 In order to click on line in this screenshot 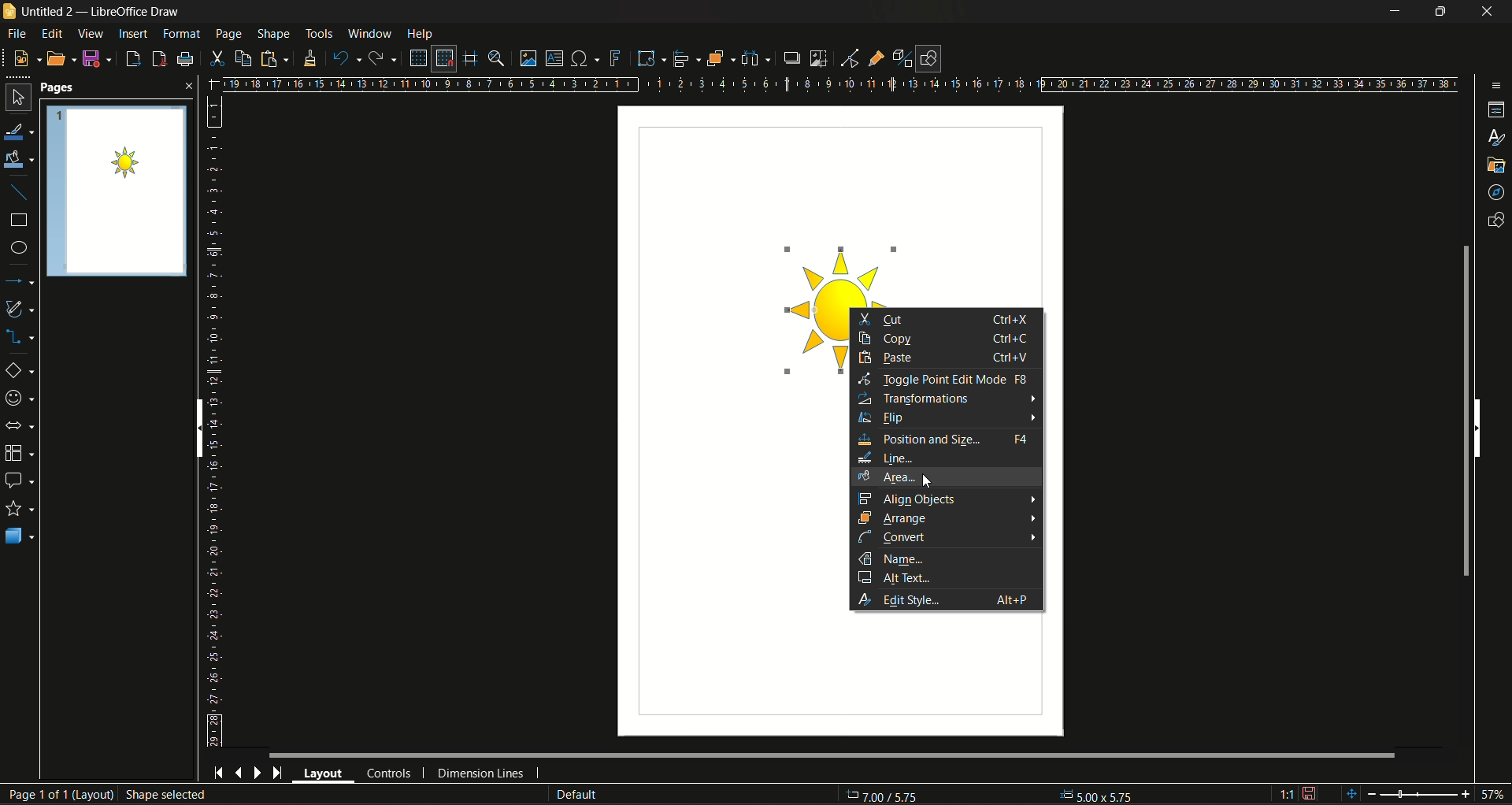, I will do `click(888, 459)`.